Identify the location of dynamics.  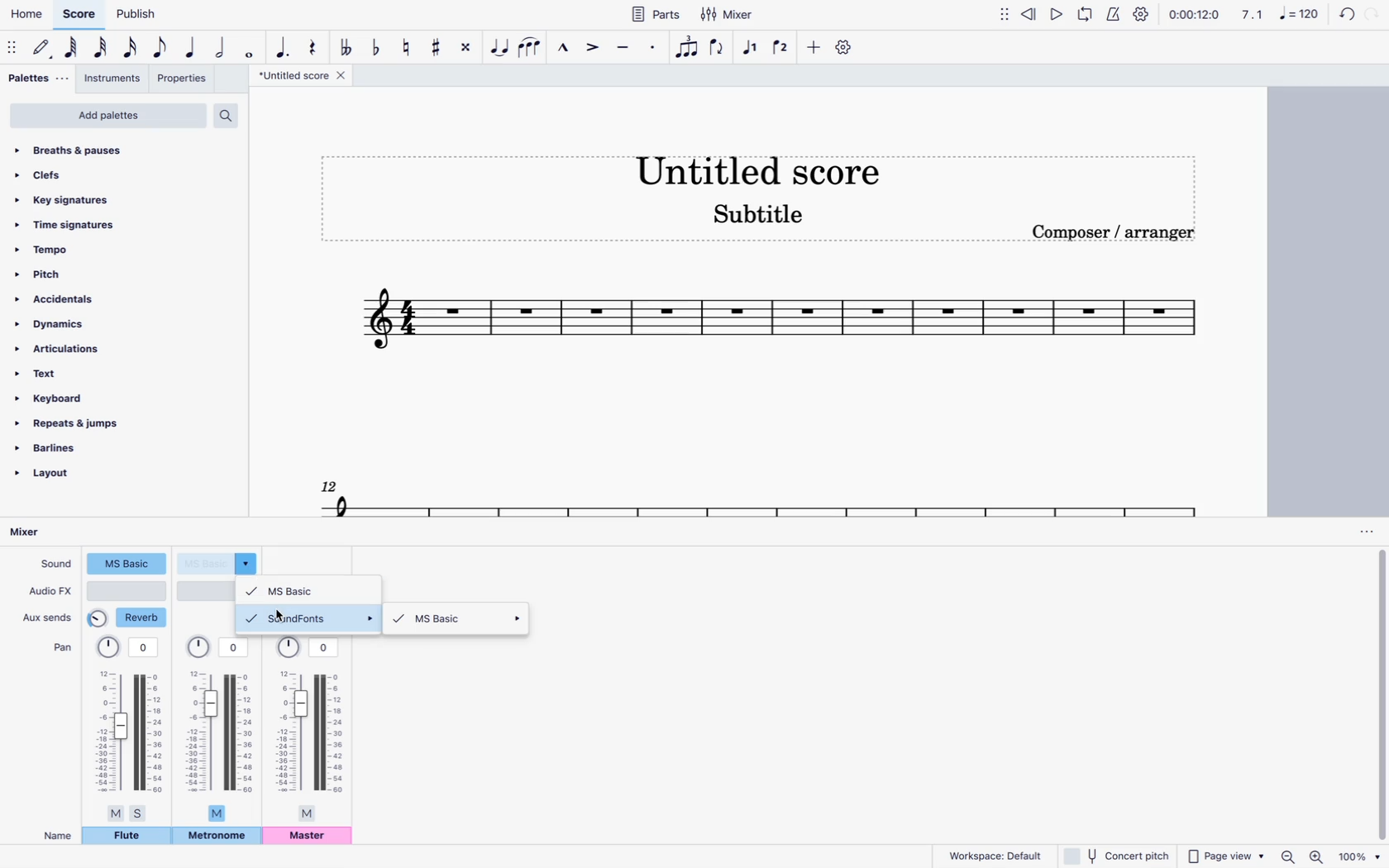
(88, 323).